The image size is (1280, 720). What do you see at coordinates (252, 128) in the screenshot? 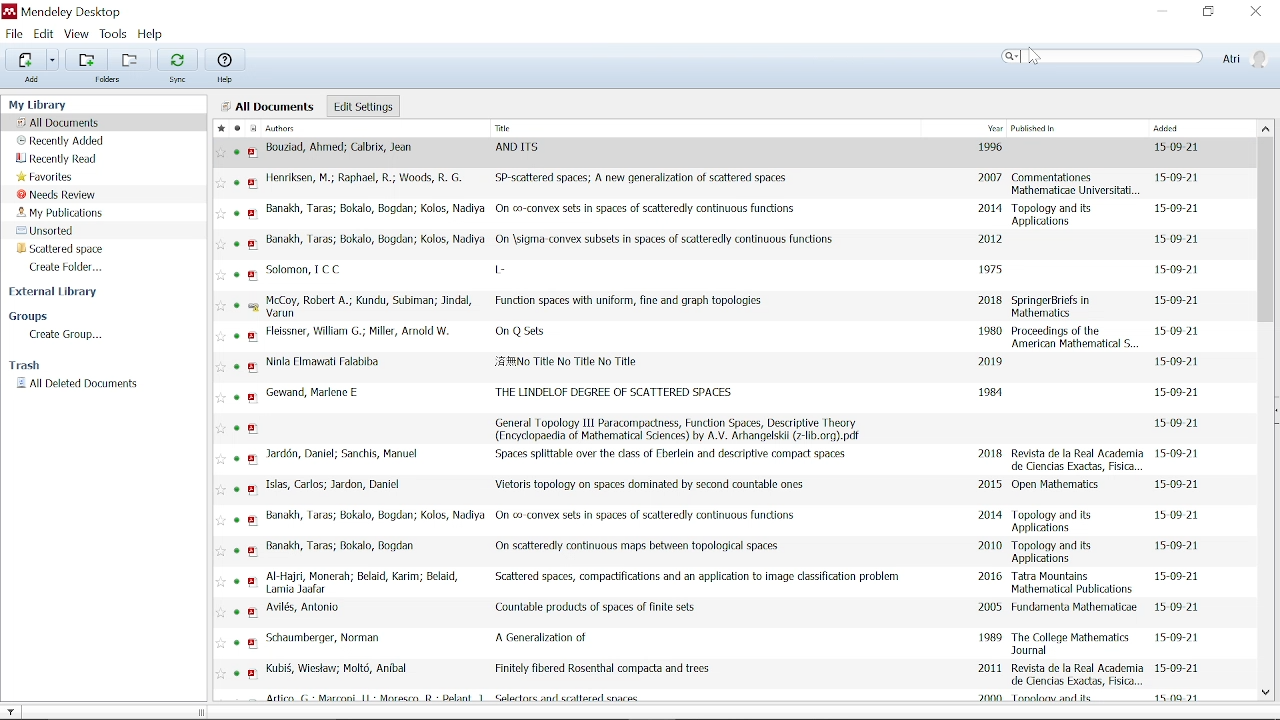
I see `Documents format` at bounding box center [252, 128].